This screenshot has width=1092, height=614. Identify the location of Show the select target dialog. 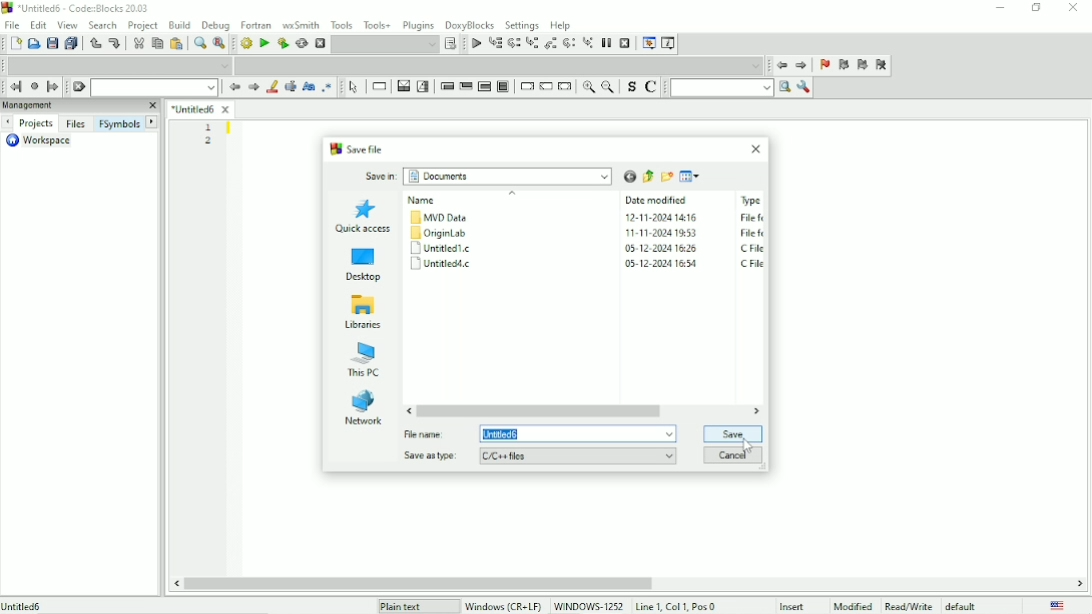
(451, 43).